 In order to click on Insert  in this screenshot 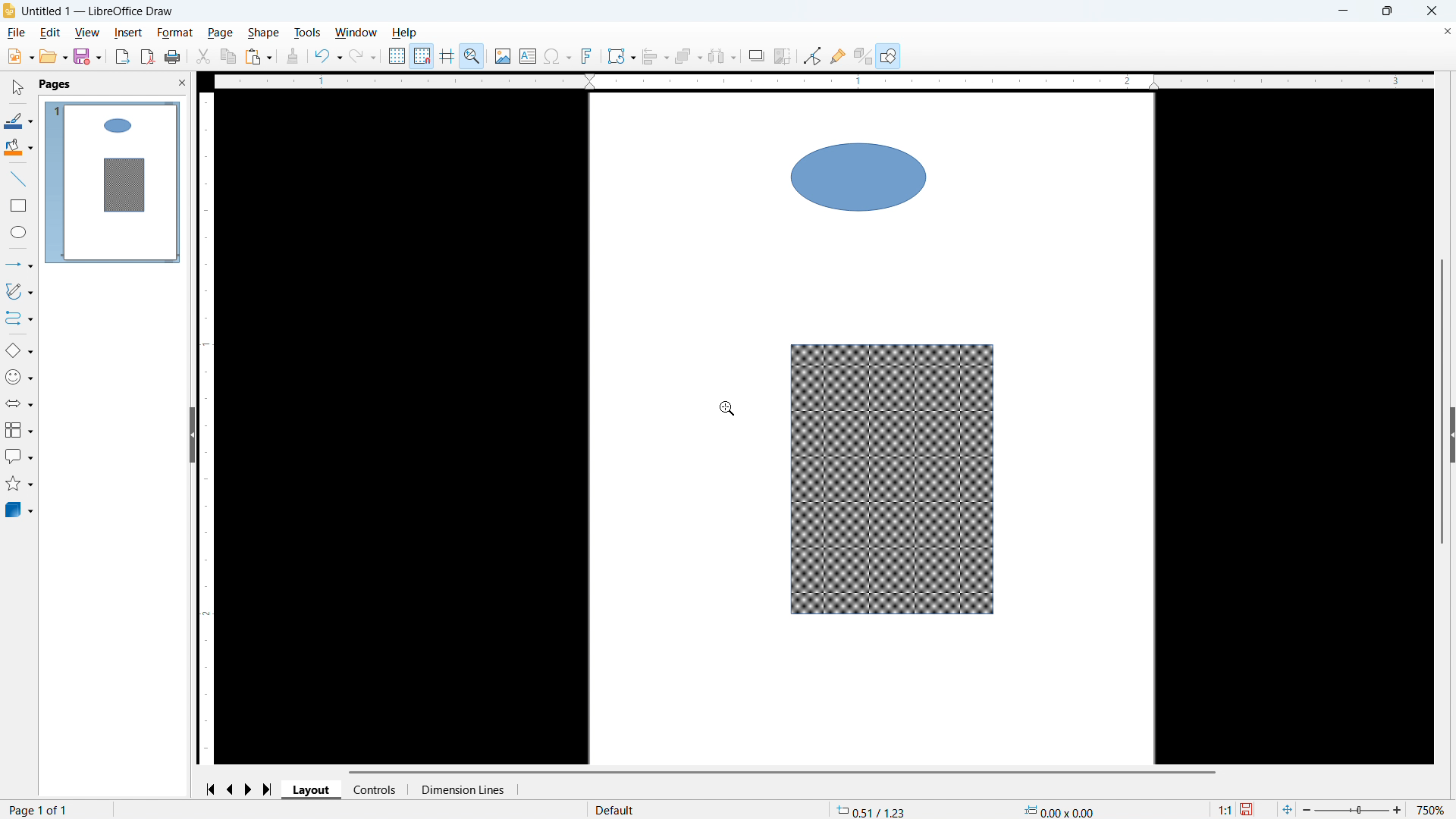, I will do `click(128, 33)`.